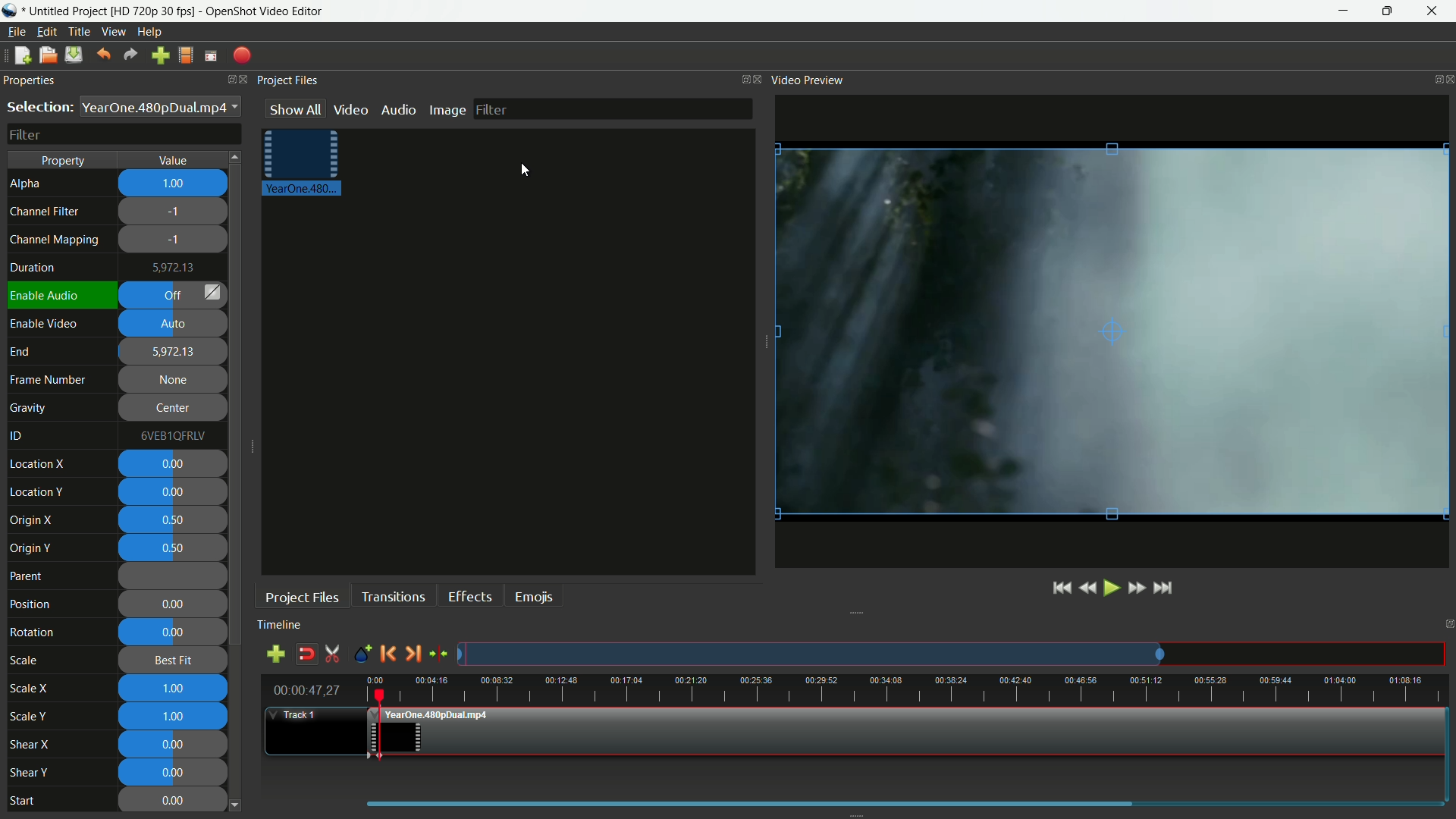  I want to click on 0.00, so click(172, 605).